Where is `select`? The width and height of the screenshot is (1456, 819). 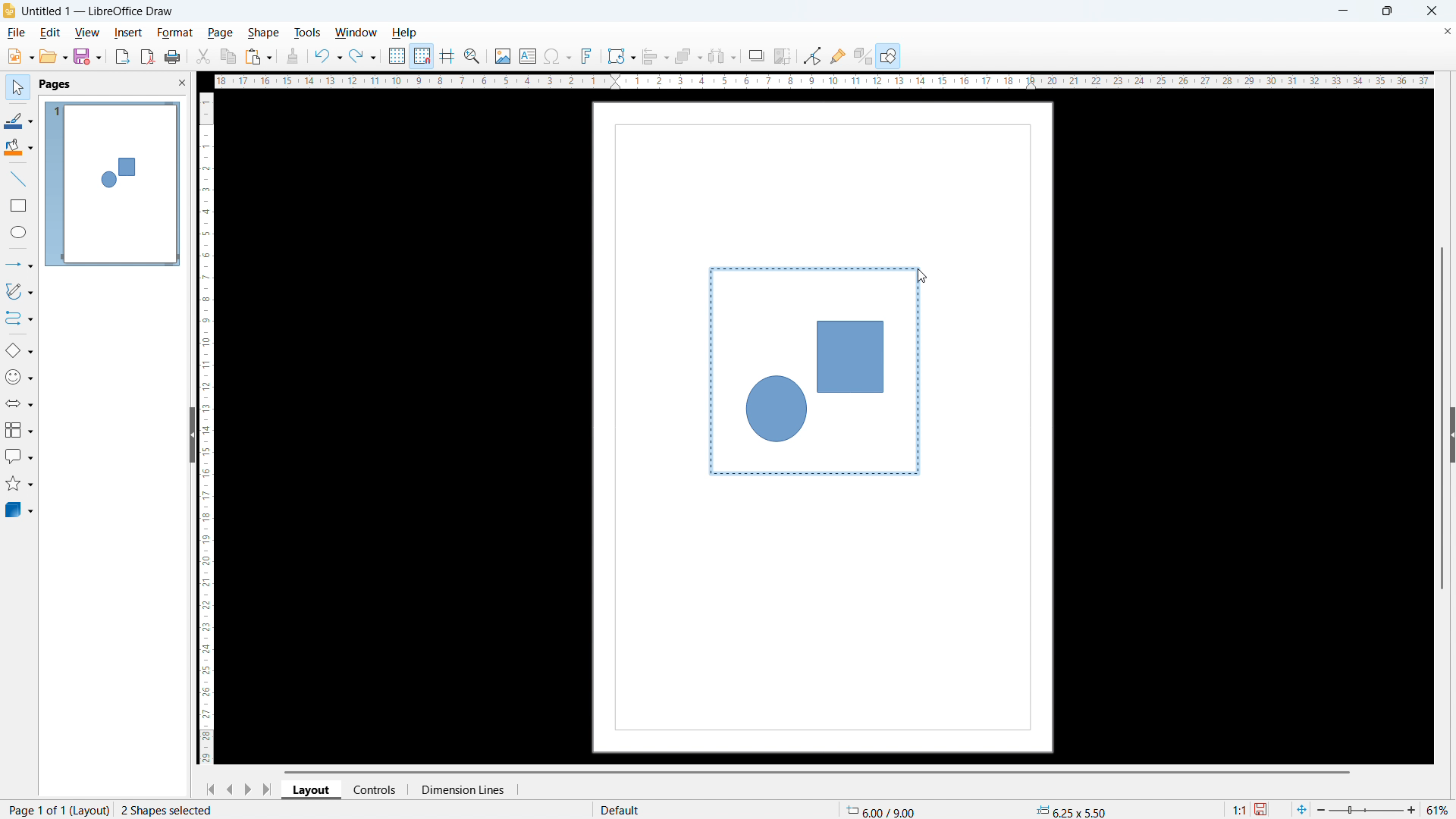
select is located at coordinates (17, 88).